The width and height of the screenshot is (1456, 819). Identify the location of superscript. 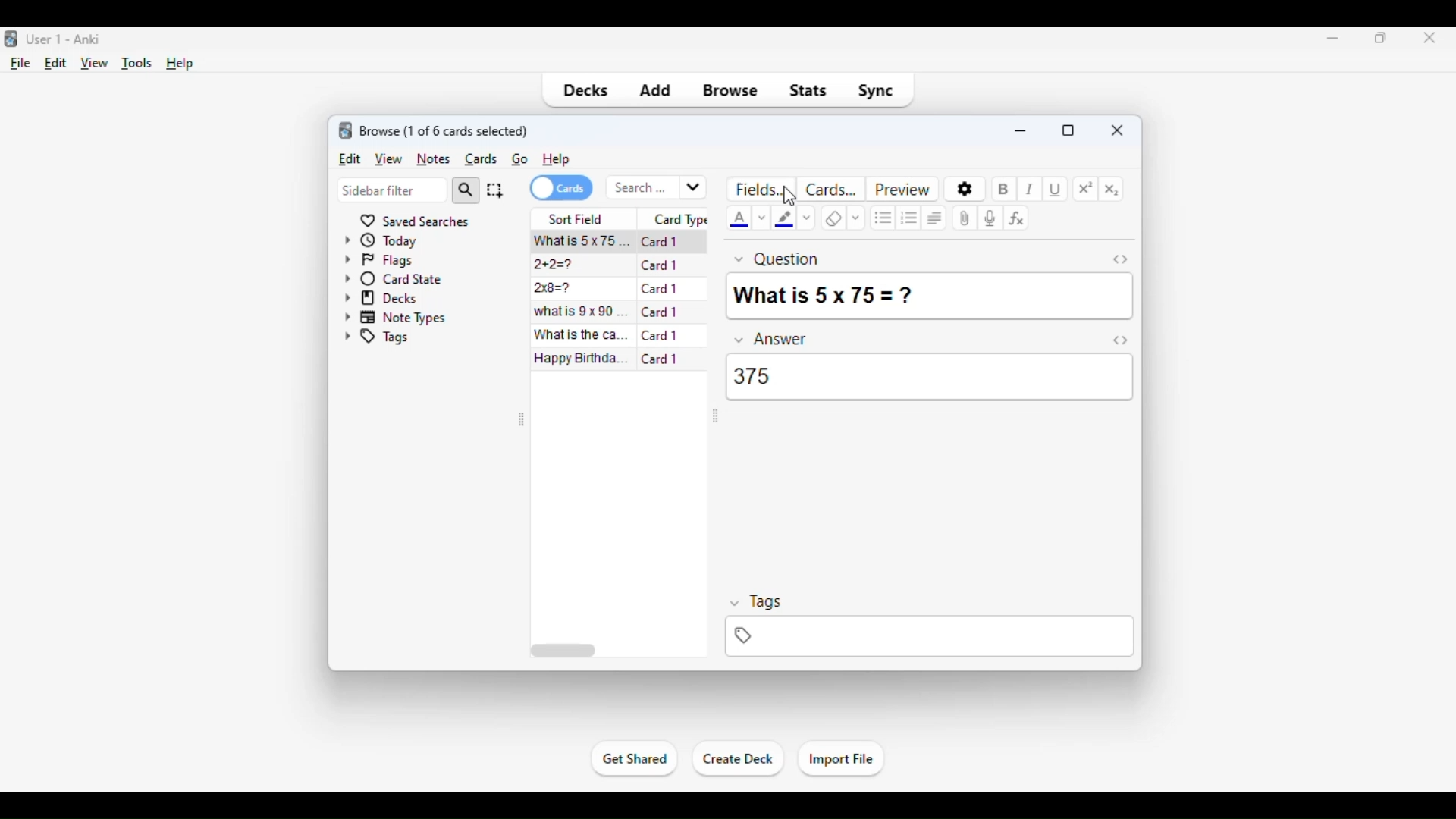
(1086, 189).